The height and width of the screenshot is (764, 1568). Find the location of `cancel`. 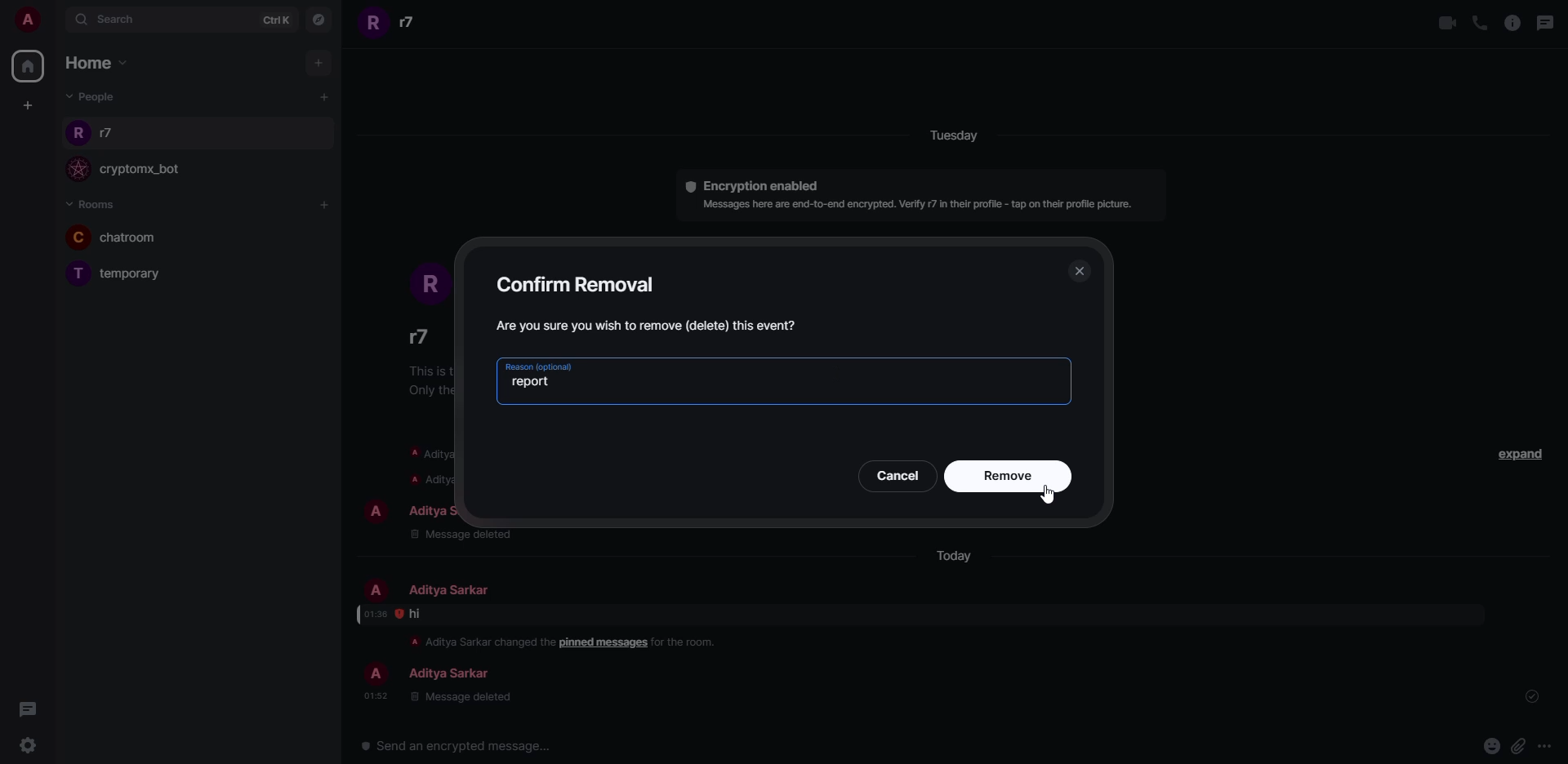

cancel is located at coordinates (898, 474).